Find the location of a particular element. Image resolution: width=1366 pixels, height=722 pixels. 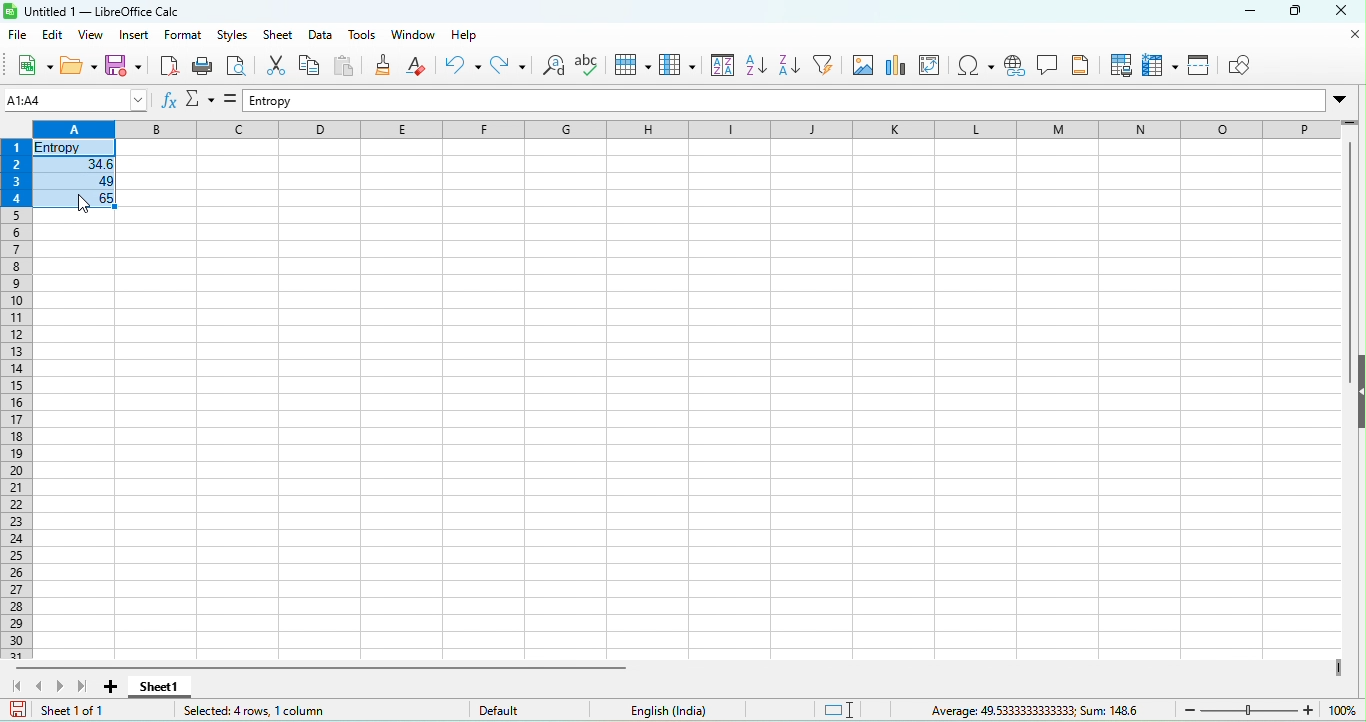

save is located at coordinates (126, 67).